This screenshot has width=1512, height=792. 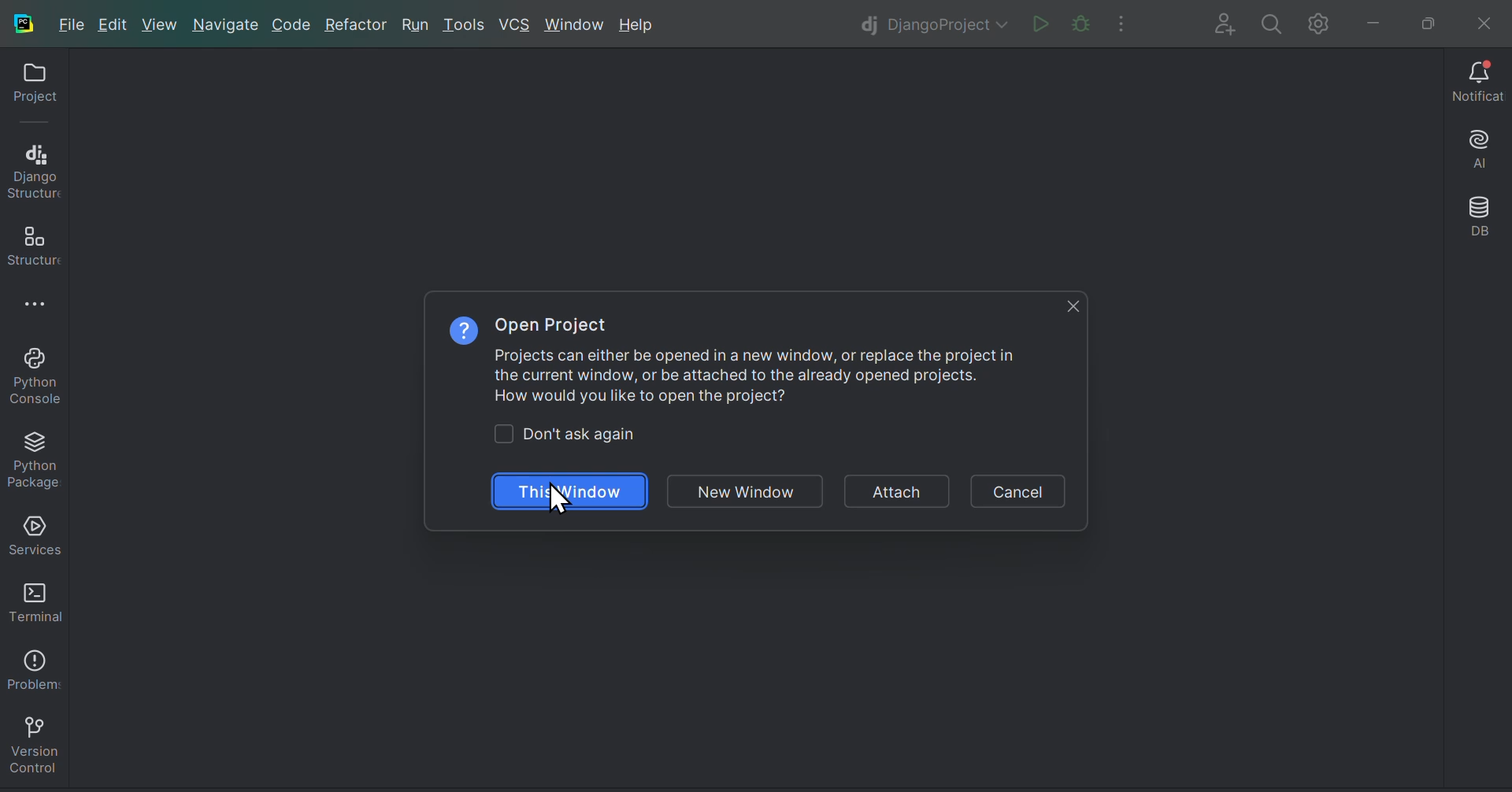 I want to click on File, so click(x=73, y=28).